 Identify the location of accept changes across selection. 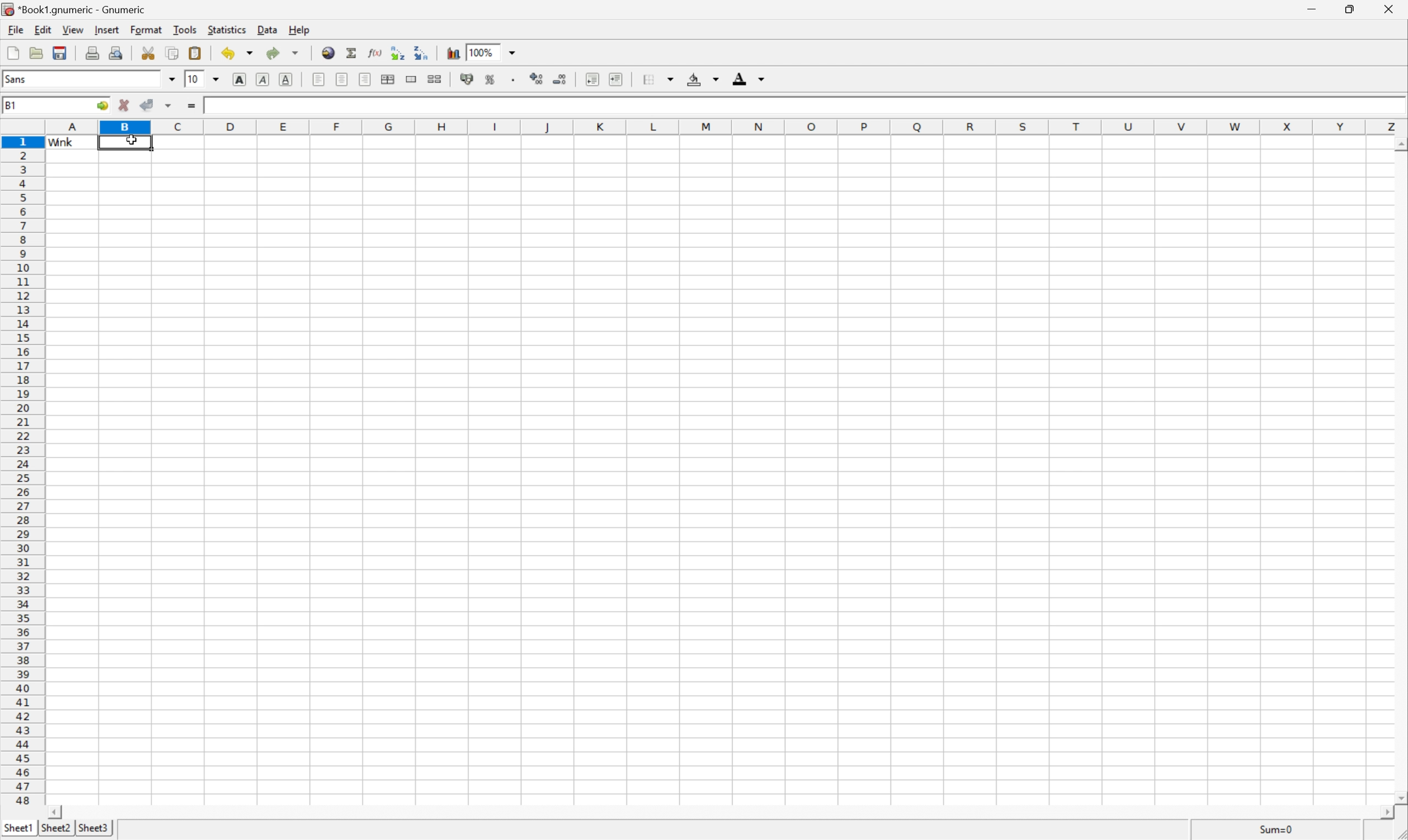
(168, 107).